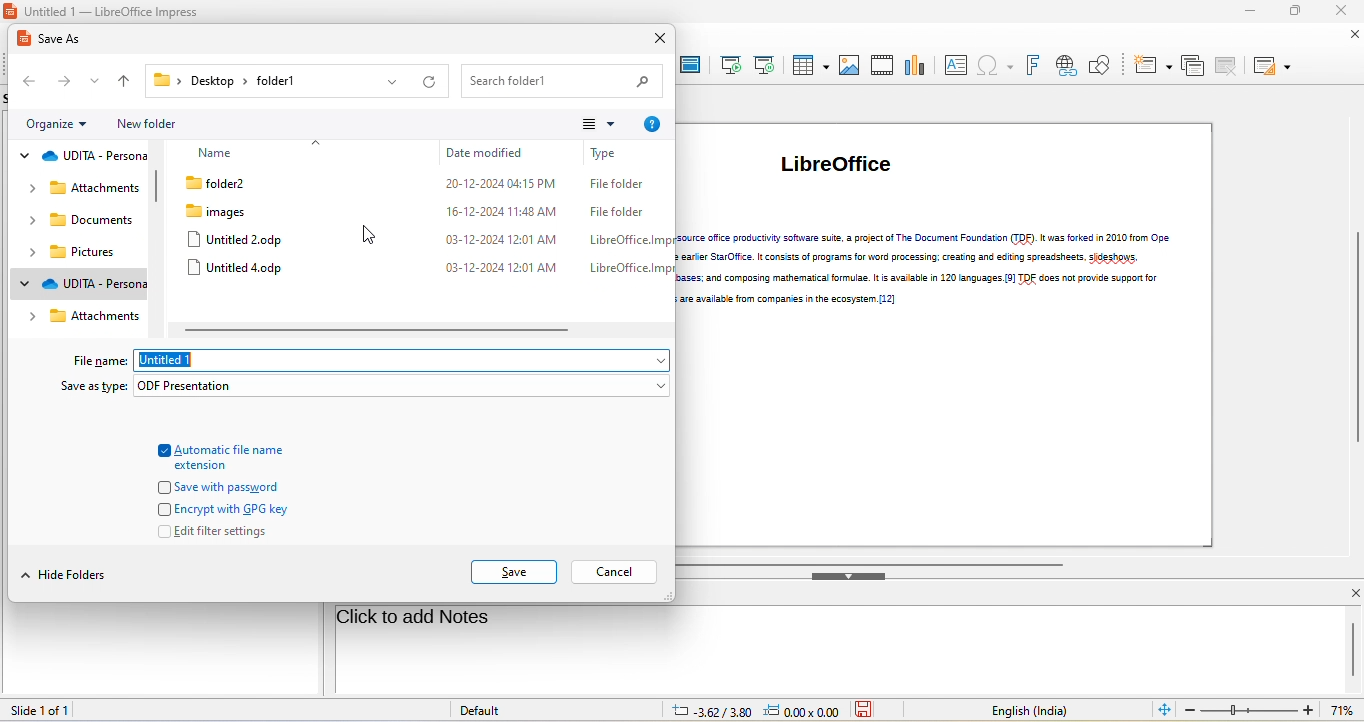 This screenshot has width=1364, height=722. What do you see at coordinates (484, 269) in the screenshot?
I see `03-12-2024 12:01 AM` at bounding box center [484, 269].